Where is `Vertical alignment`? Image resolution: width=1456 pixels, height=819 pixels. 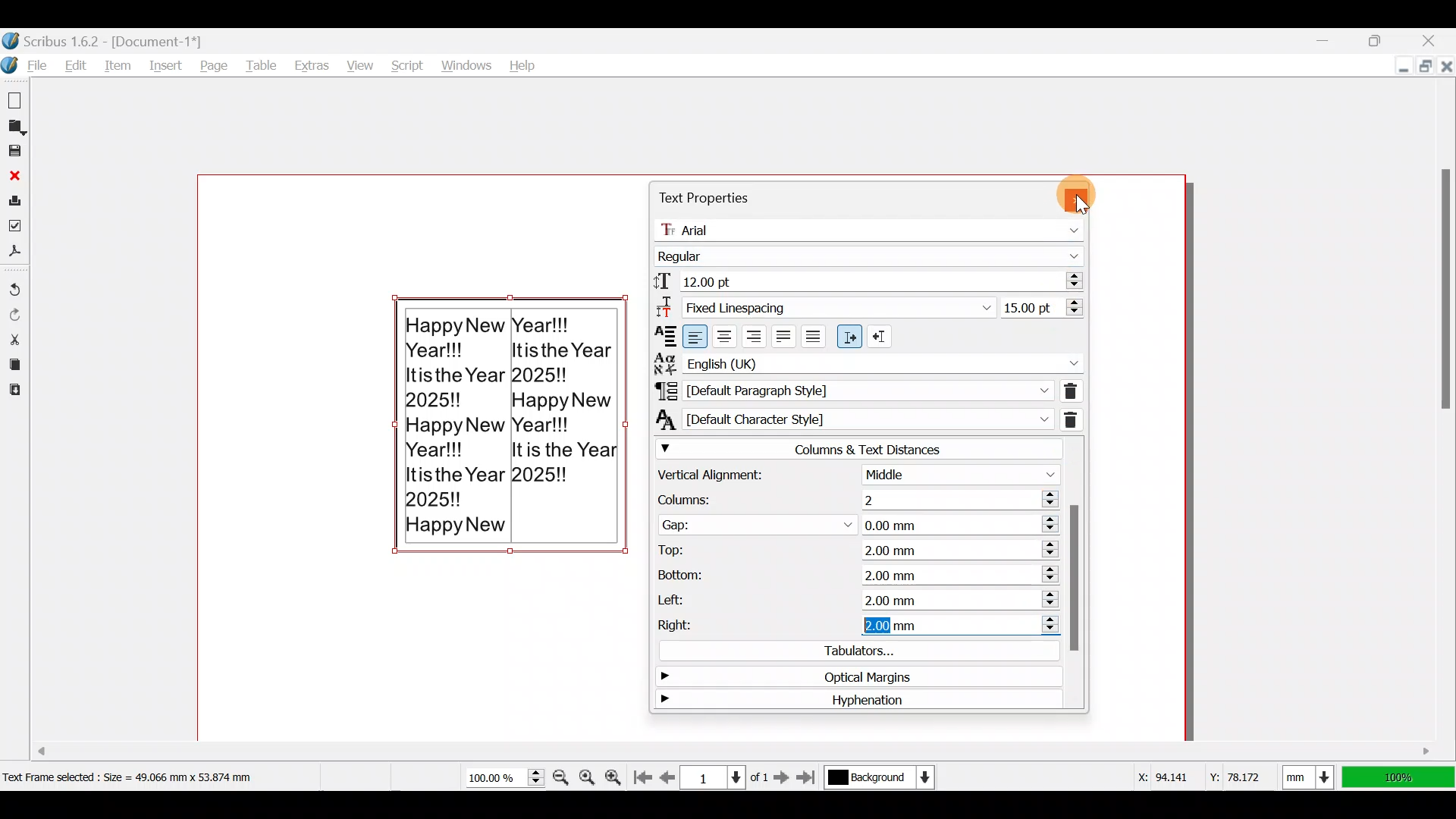 Vertical alignment is located at coordinates (855, 475).